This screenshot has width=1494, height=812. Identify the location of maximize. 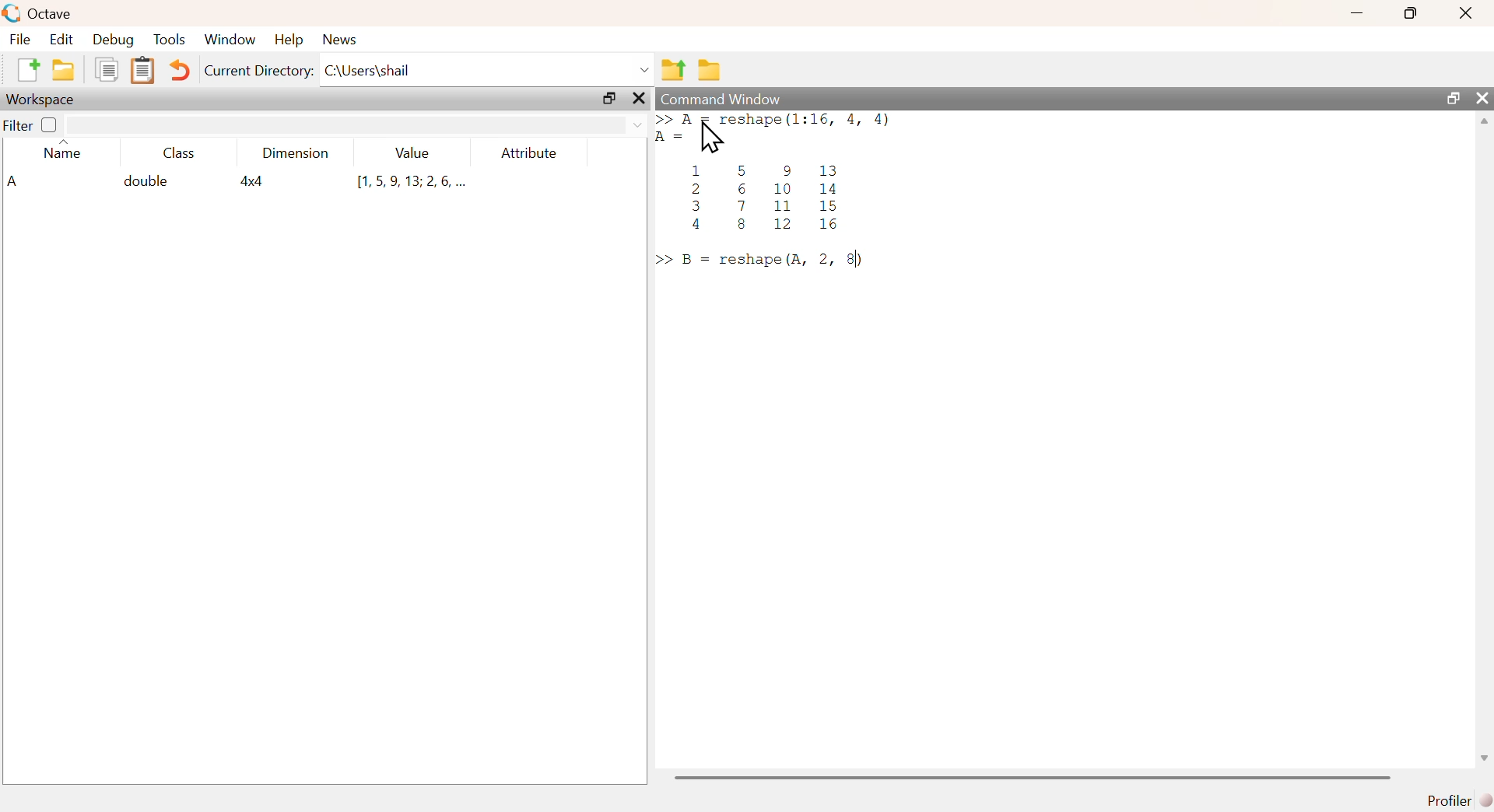
(1408, 13).